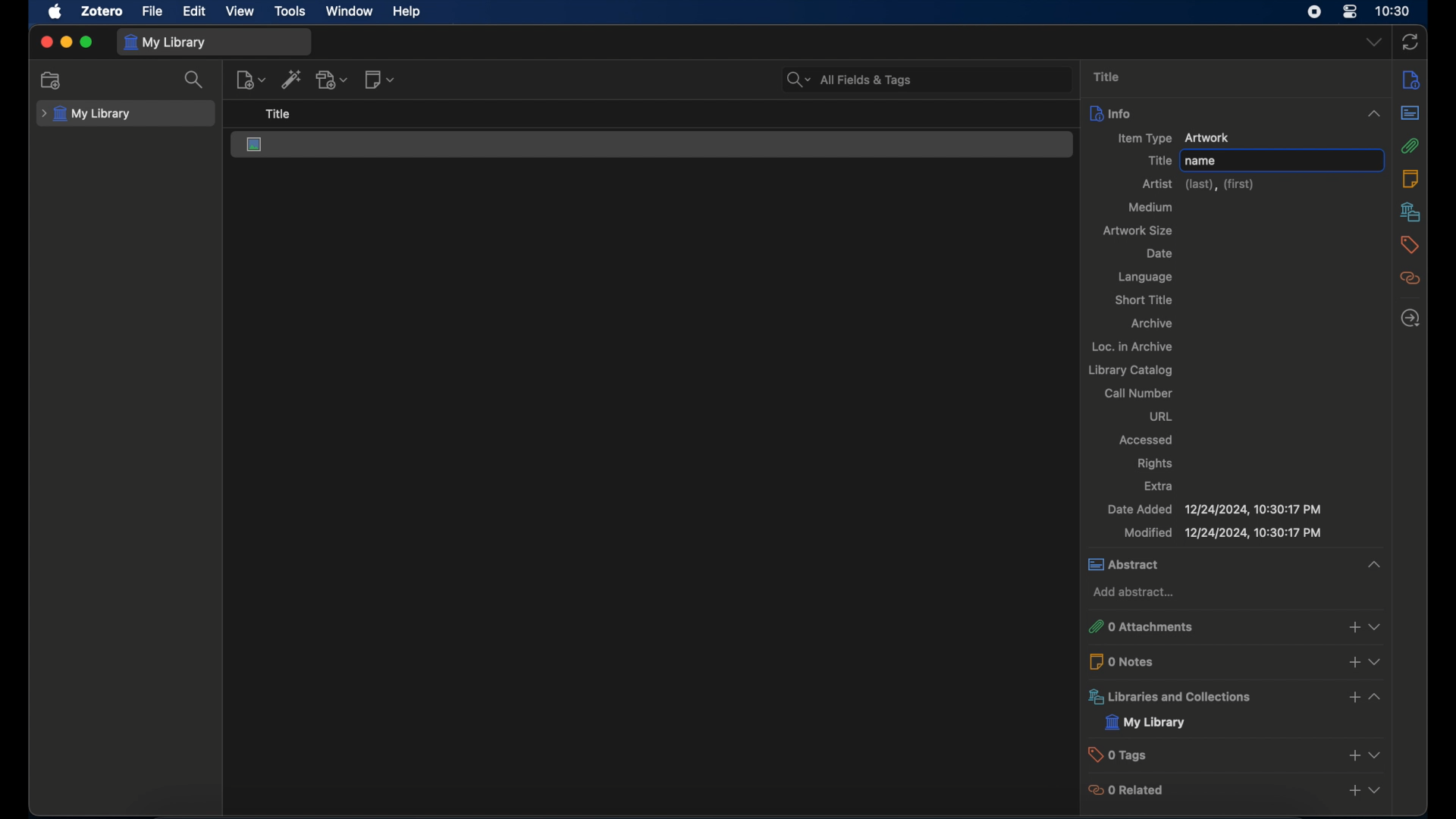  I want to click on loc. in archive, so click(1130, 347).